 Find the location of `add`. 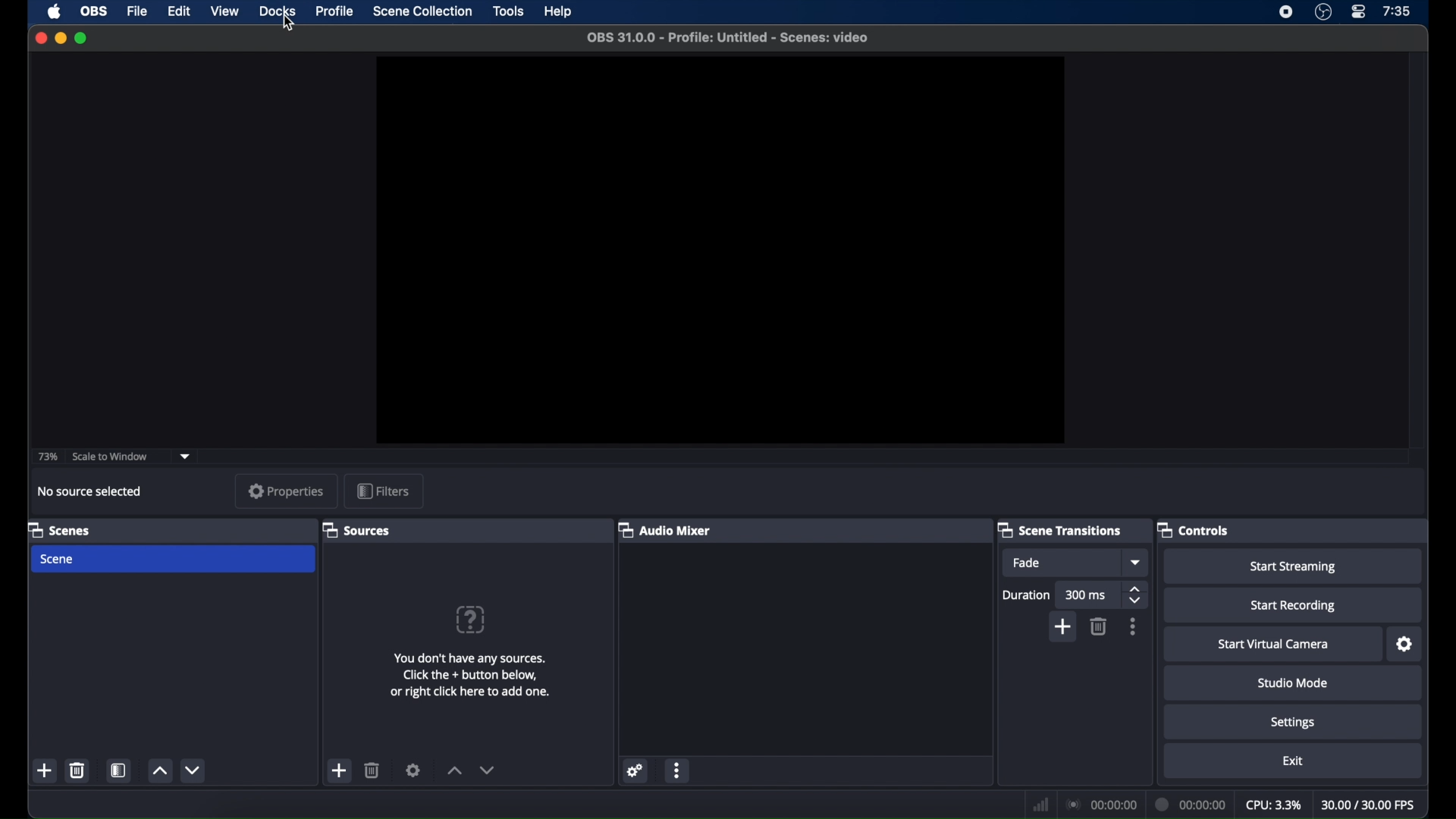

add is located at coordinates (340, 770).